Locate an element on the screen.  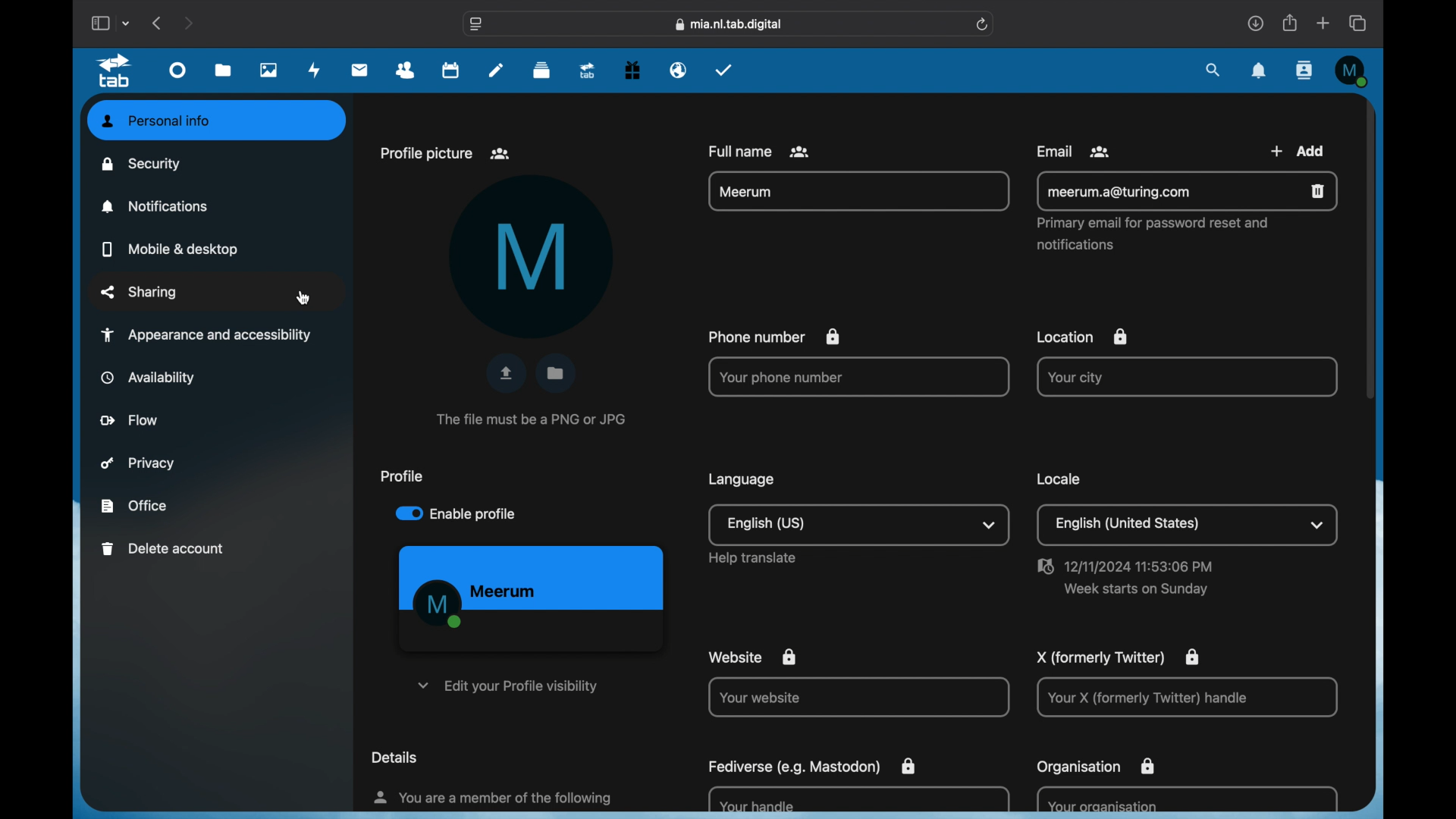
tasks is located at coordinates (724, 69).